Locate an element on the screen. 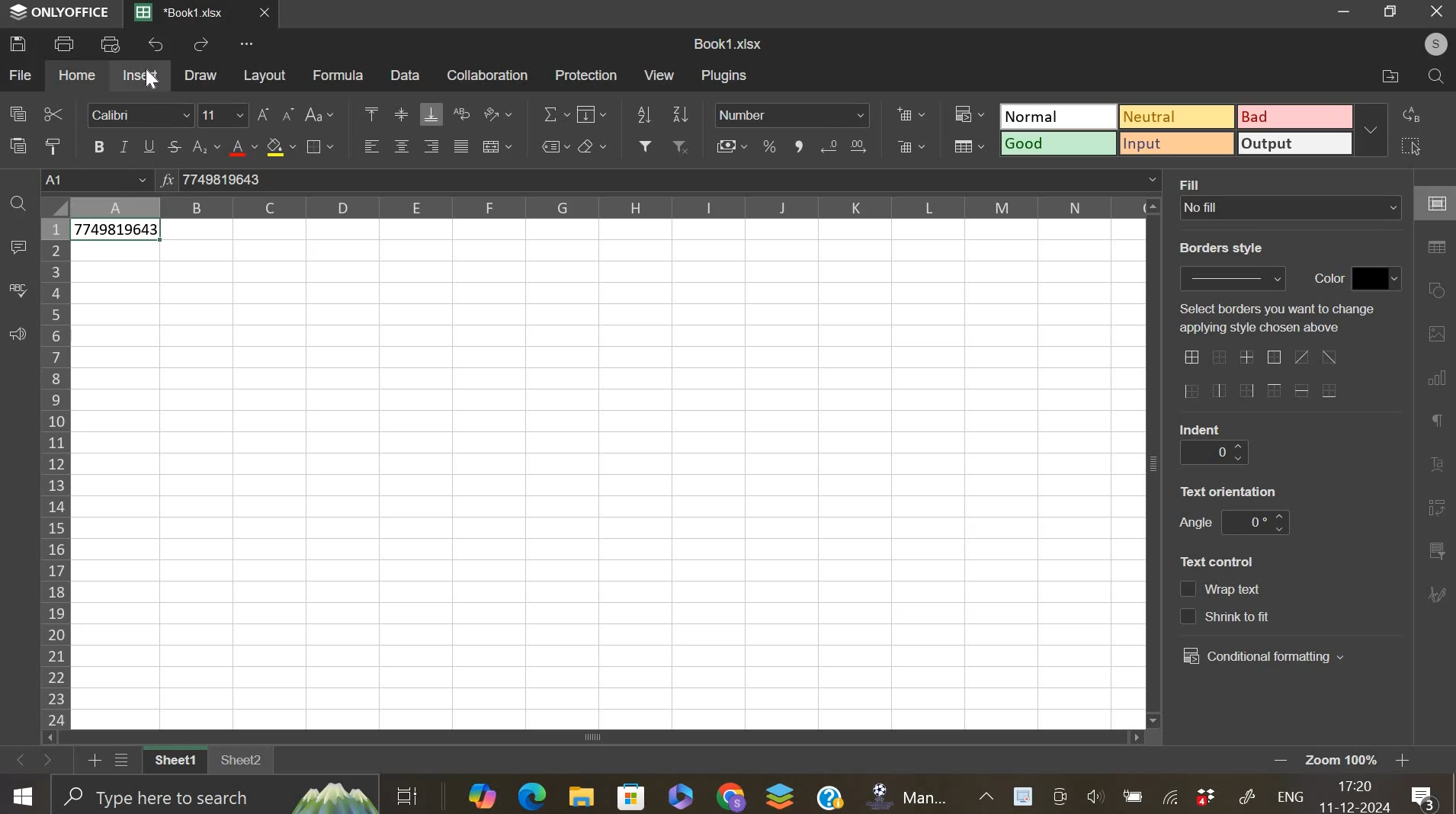  undo is located at coordinates (158, 44).